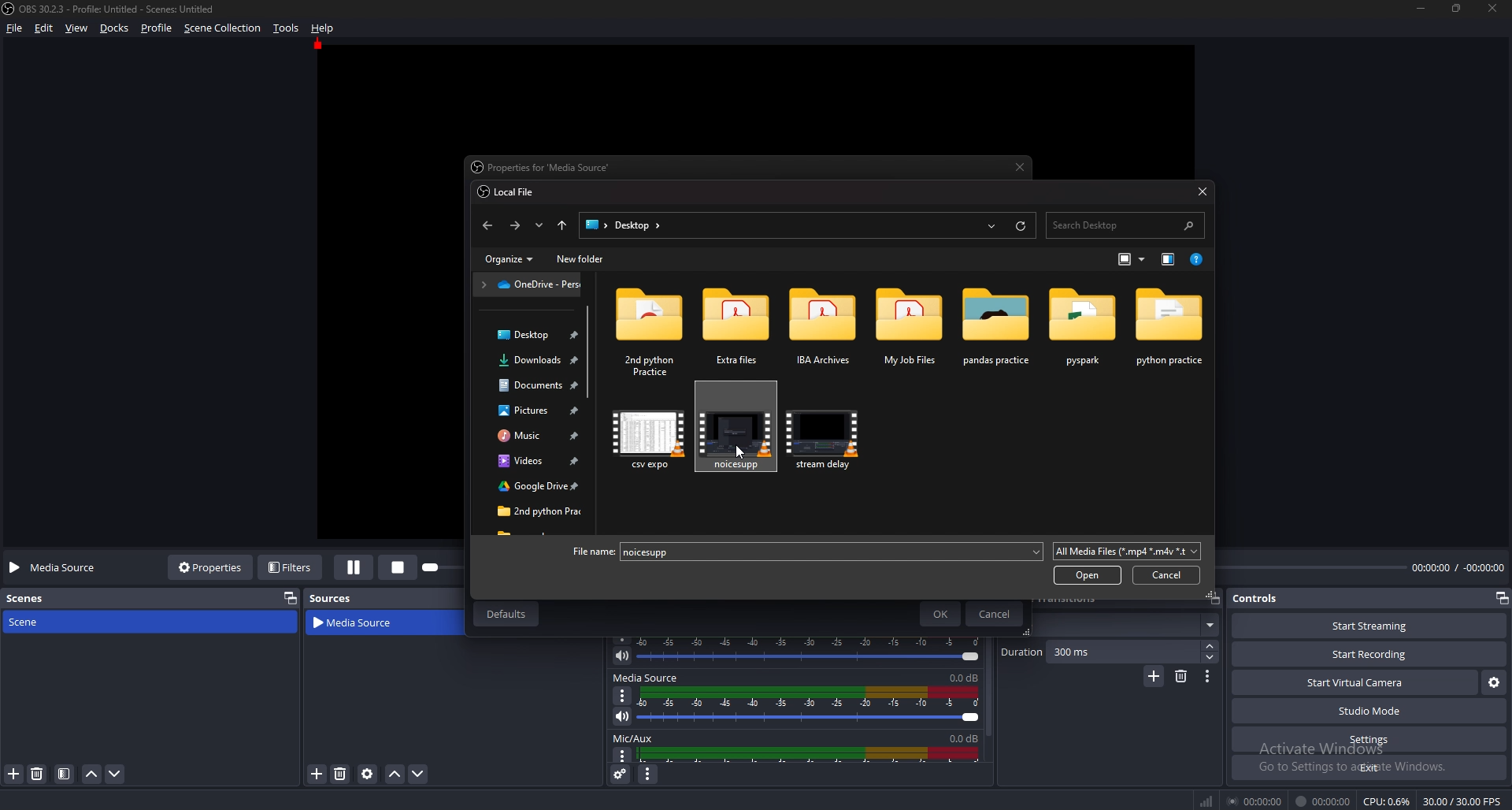 Image resolution: width=1512 pixels, height=810 pixels. What do you see at coordinates (532, 462) in the screenshot?
I see `folder` at bounding box center [532, 462].